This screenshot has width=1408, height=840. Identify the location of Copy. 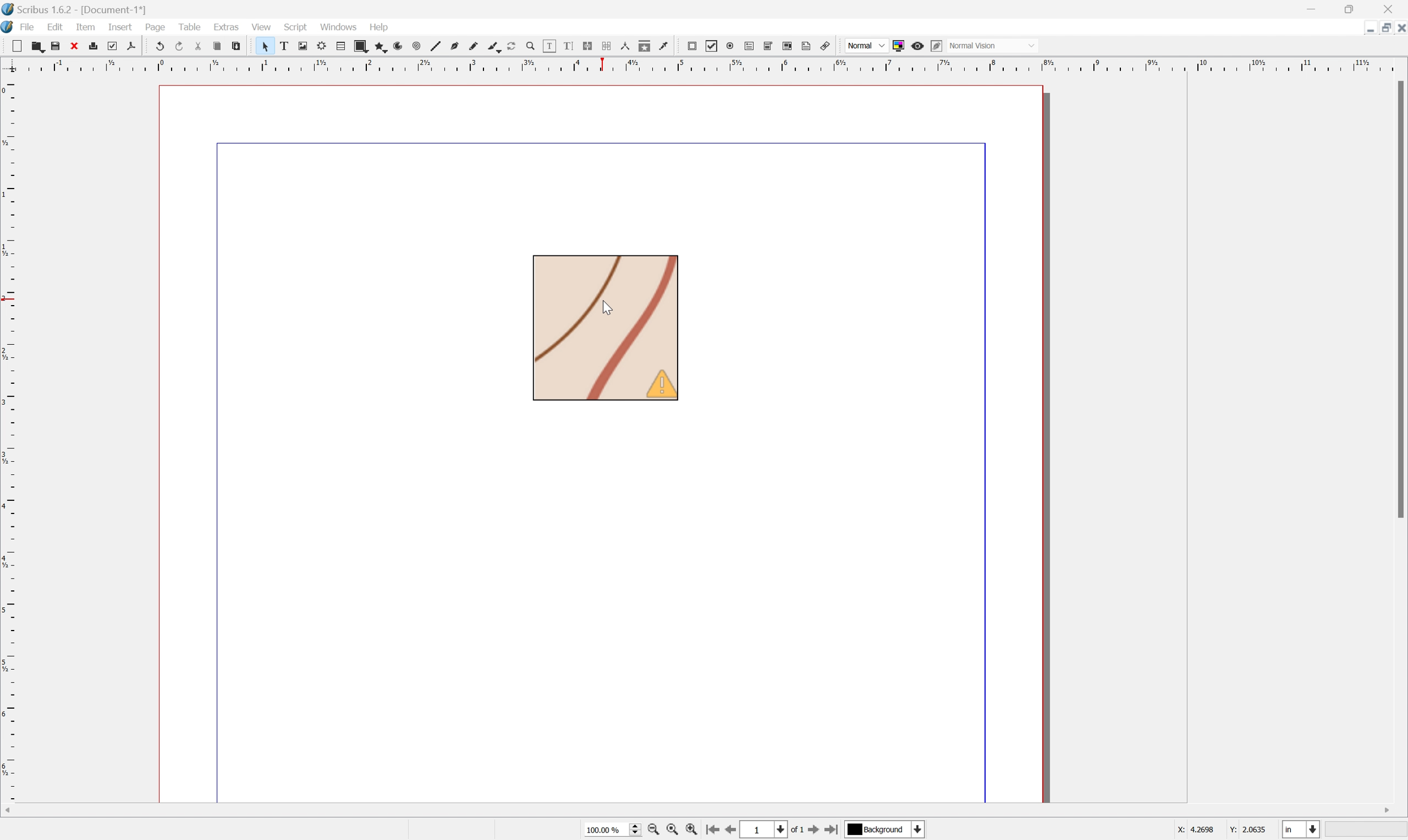
(220, 45).